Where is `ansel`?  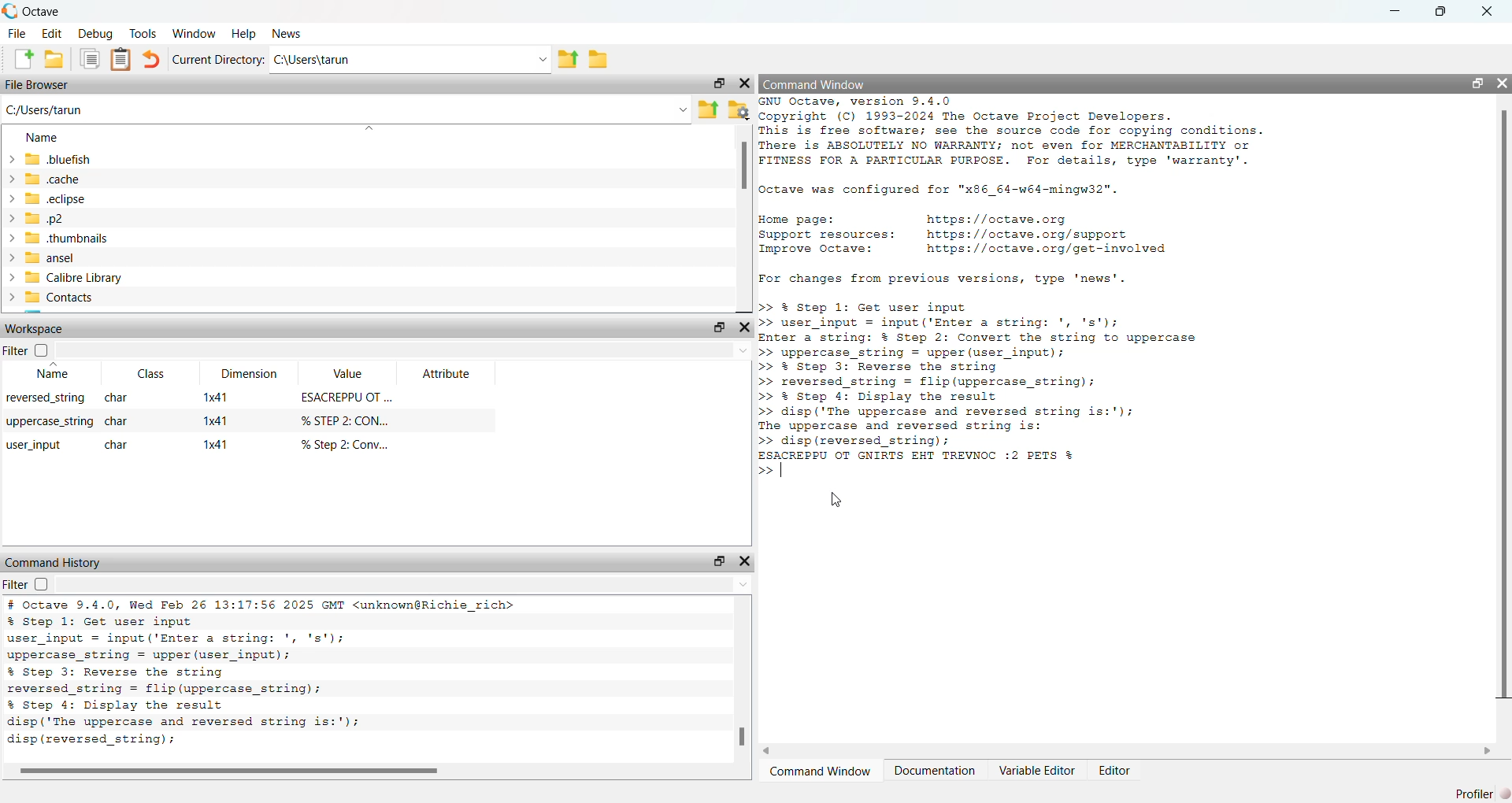
ansel is located at coordinates (72, 259).